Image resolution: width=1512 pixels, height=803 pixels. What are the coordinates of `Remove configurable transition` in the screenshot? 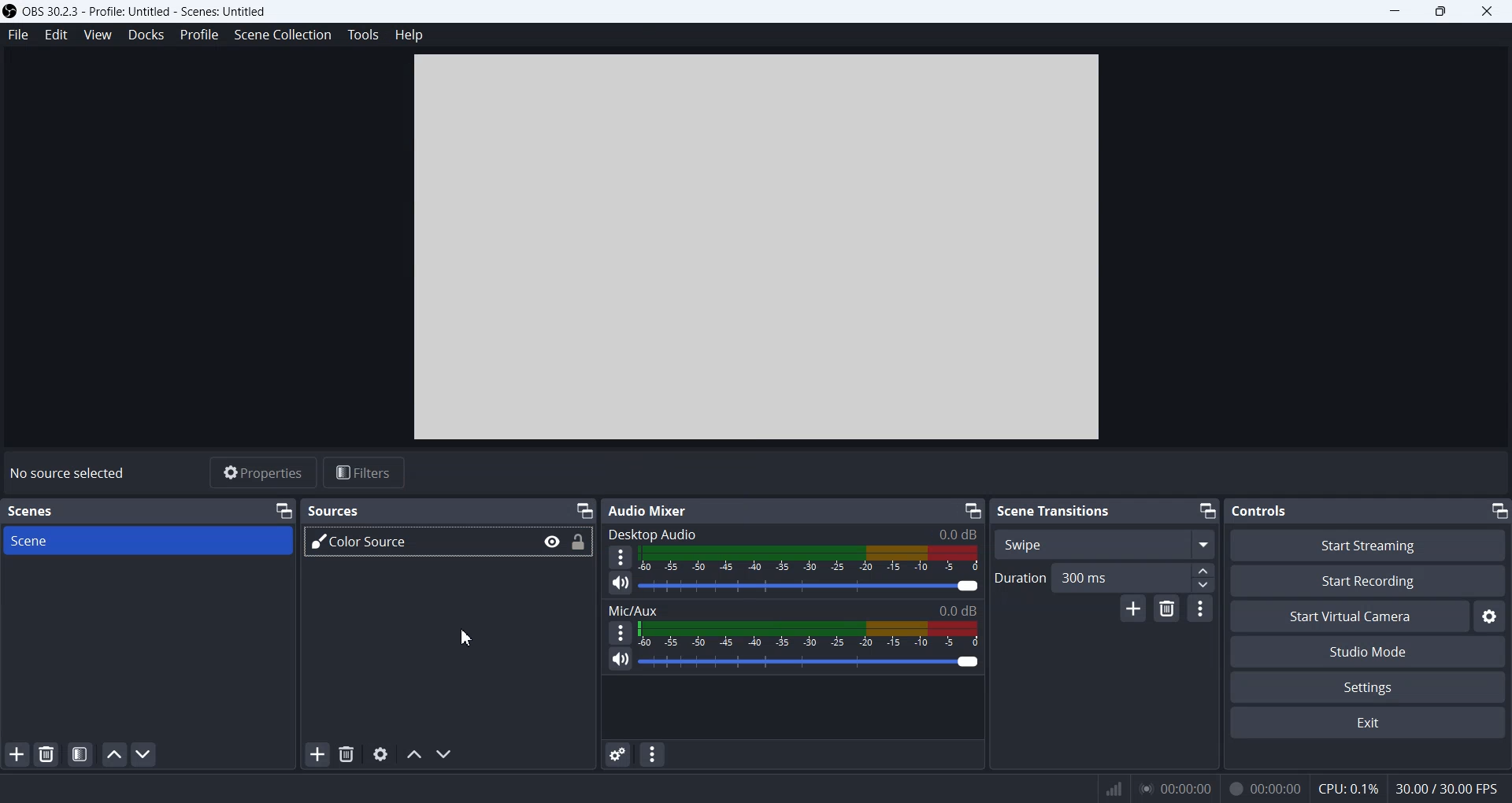 It's located at (1166, 609).